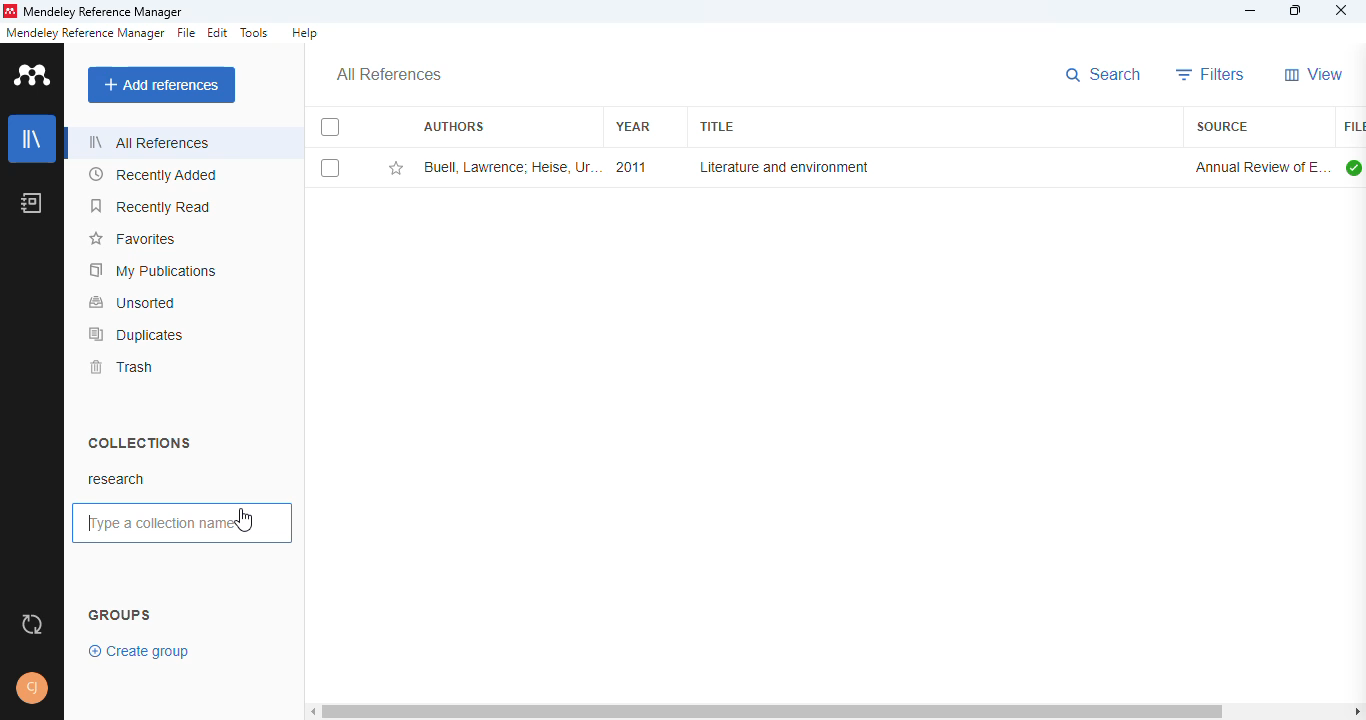  Describe the element at coordinates (332, 169) in the screenshot. I see `select` at that location.